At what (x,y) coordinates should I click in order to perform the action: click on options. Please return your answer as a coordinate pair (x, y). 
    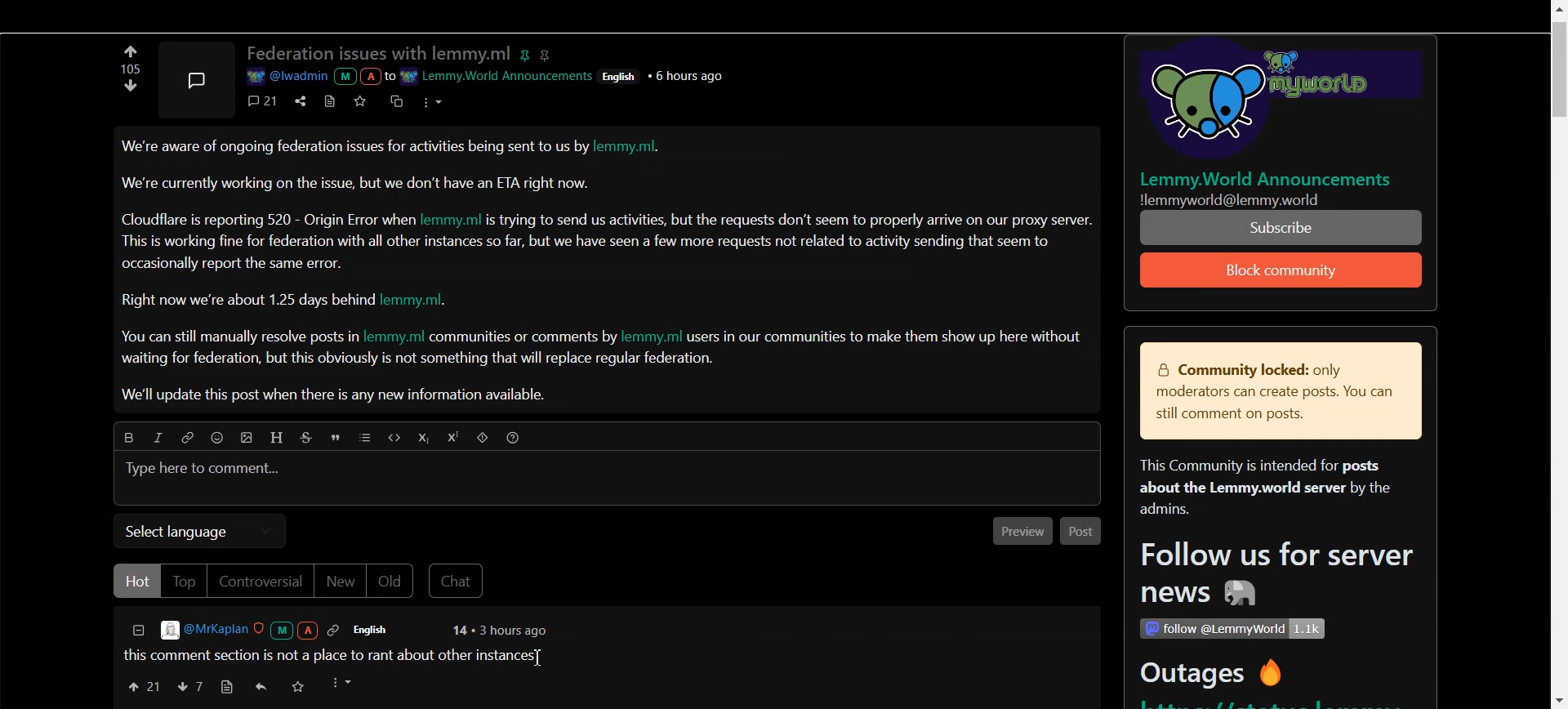
    Looking at the image, I should click on (344, 683).